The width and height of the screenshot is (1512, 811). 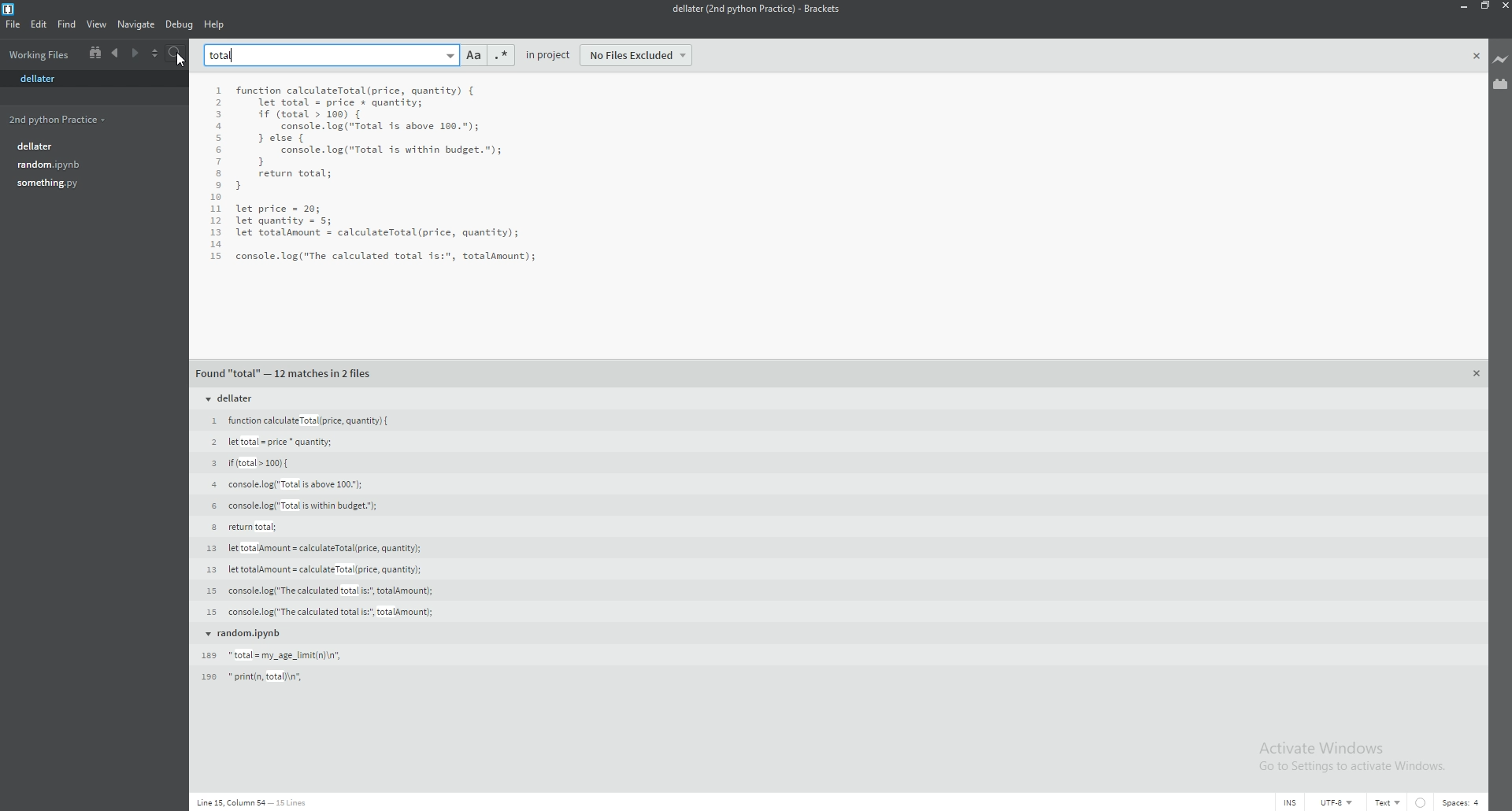 I want to click on minimize, so click(x=1462, y=6).